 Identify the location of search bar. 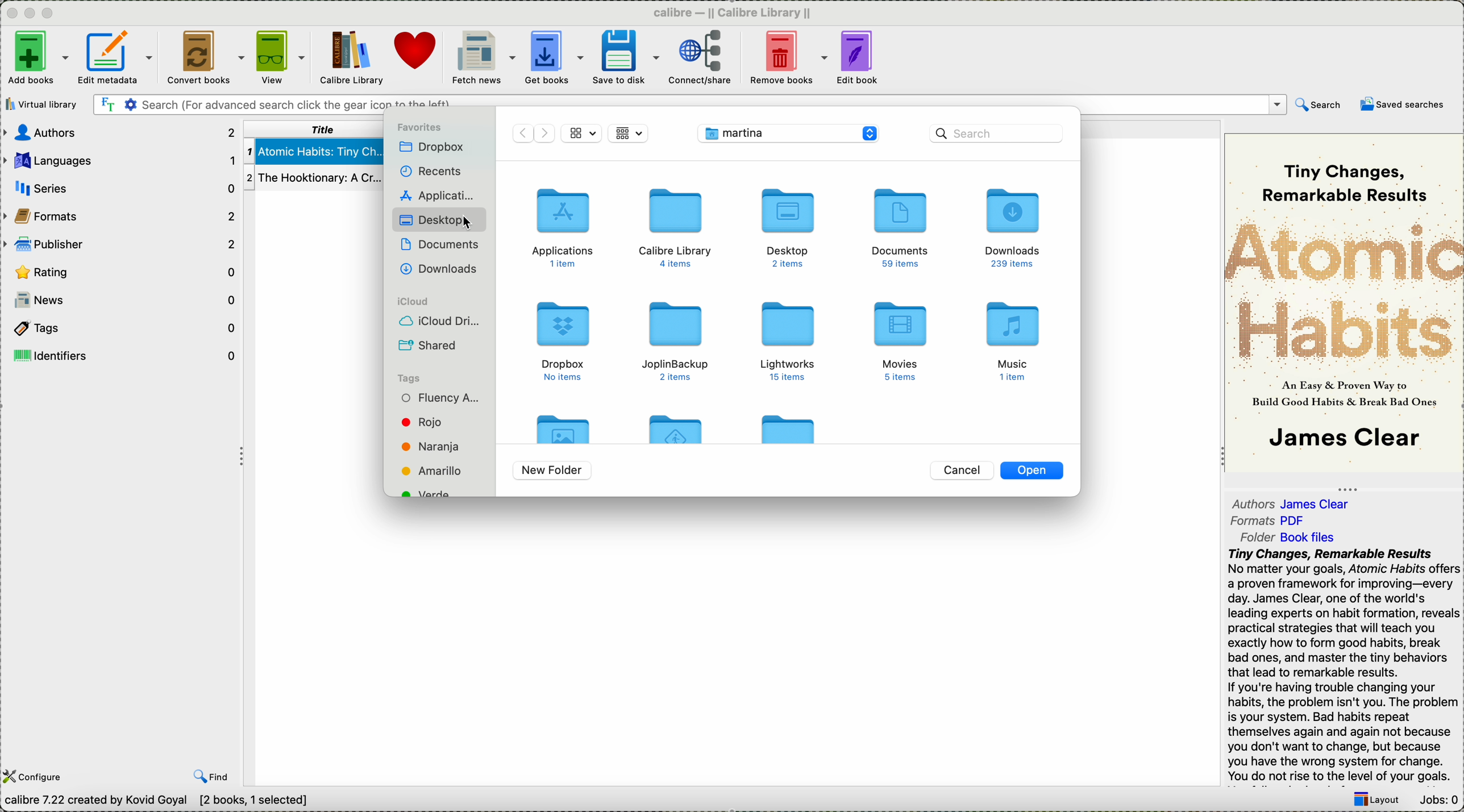
(688, 104).